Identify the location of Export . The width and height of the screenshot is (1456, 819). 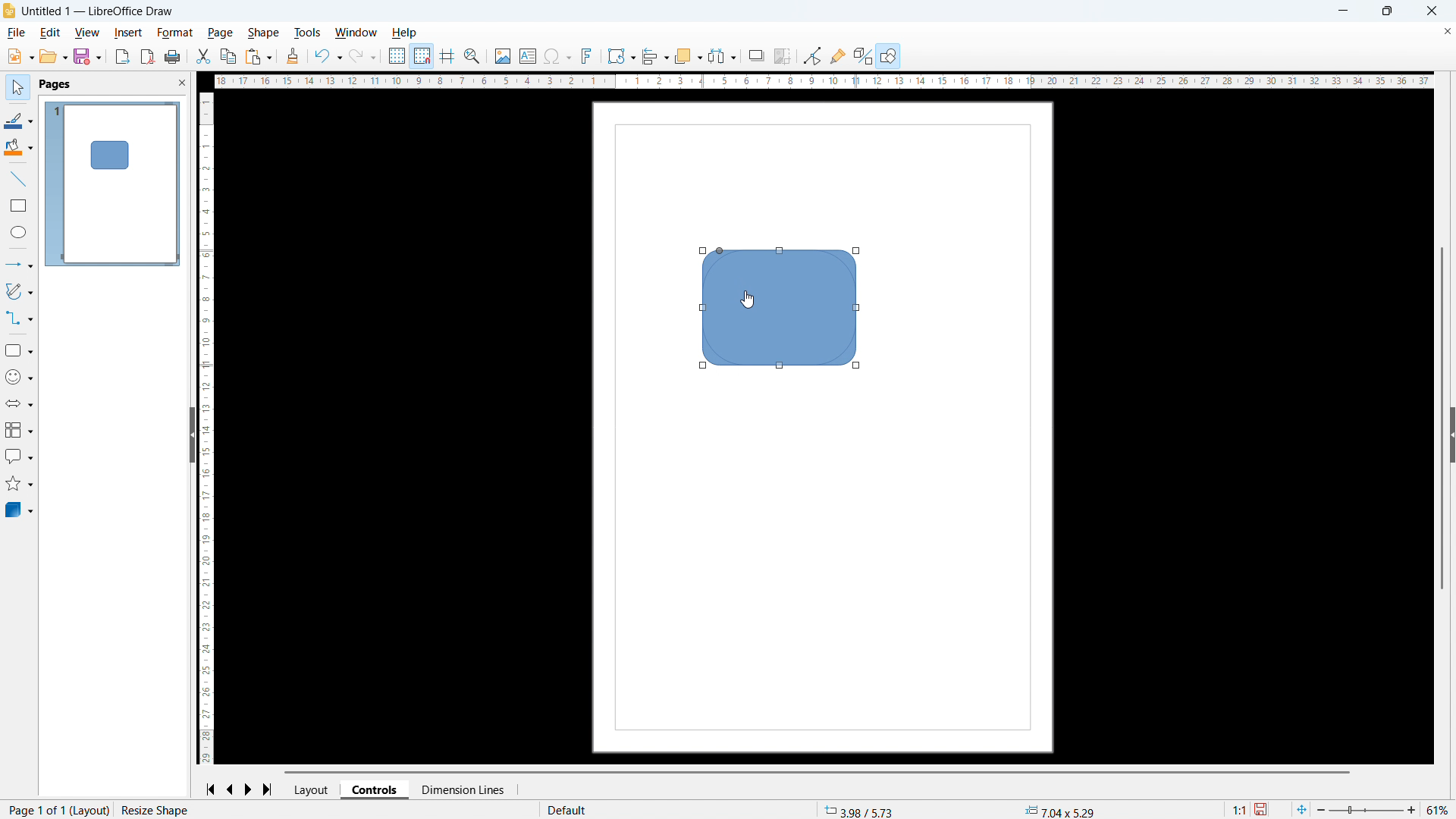
(122, 56).